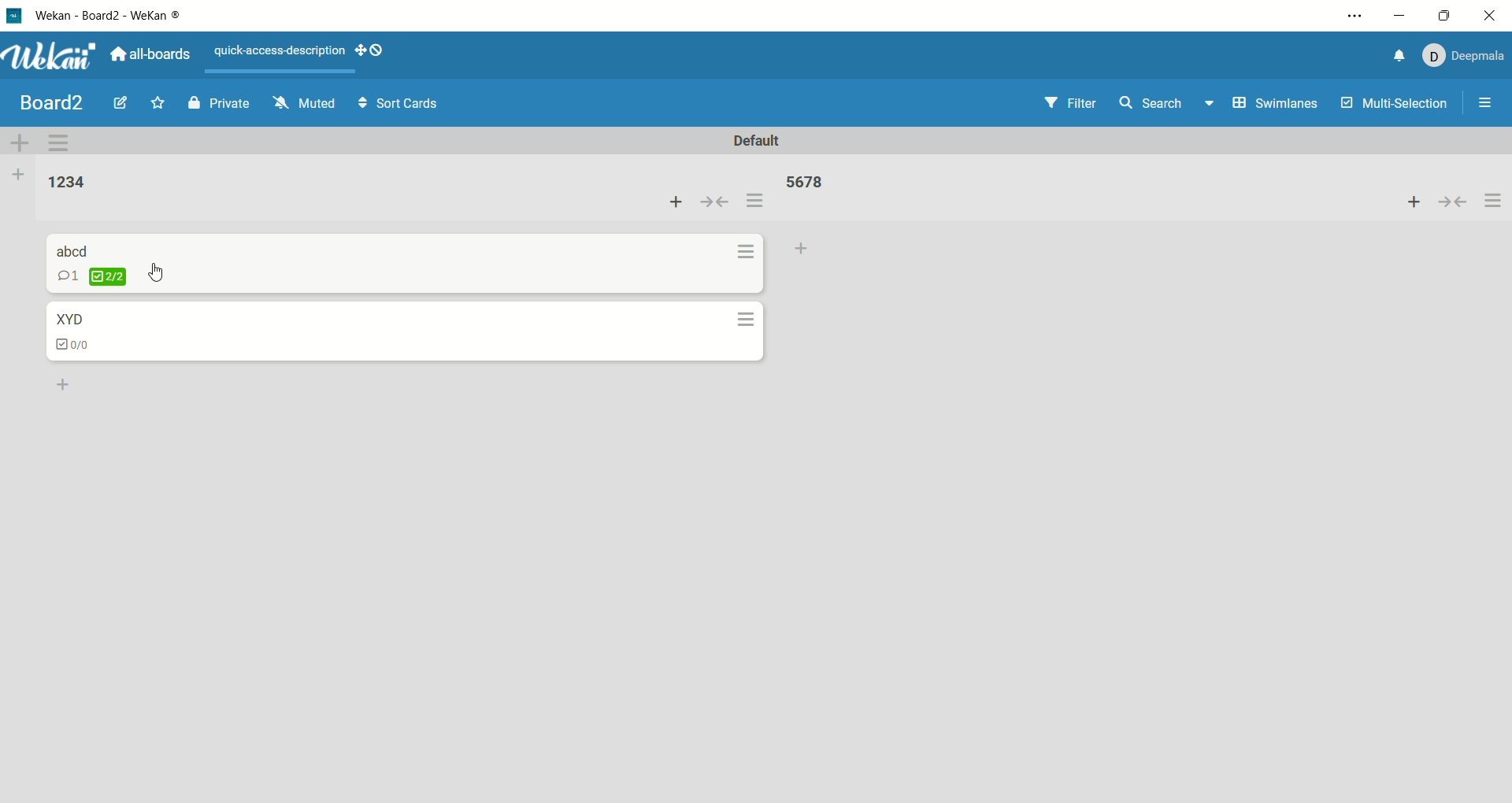 This screenshot has width=1512, height=803. I want to click on add, so click(669, 202).